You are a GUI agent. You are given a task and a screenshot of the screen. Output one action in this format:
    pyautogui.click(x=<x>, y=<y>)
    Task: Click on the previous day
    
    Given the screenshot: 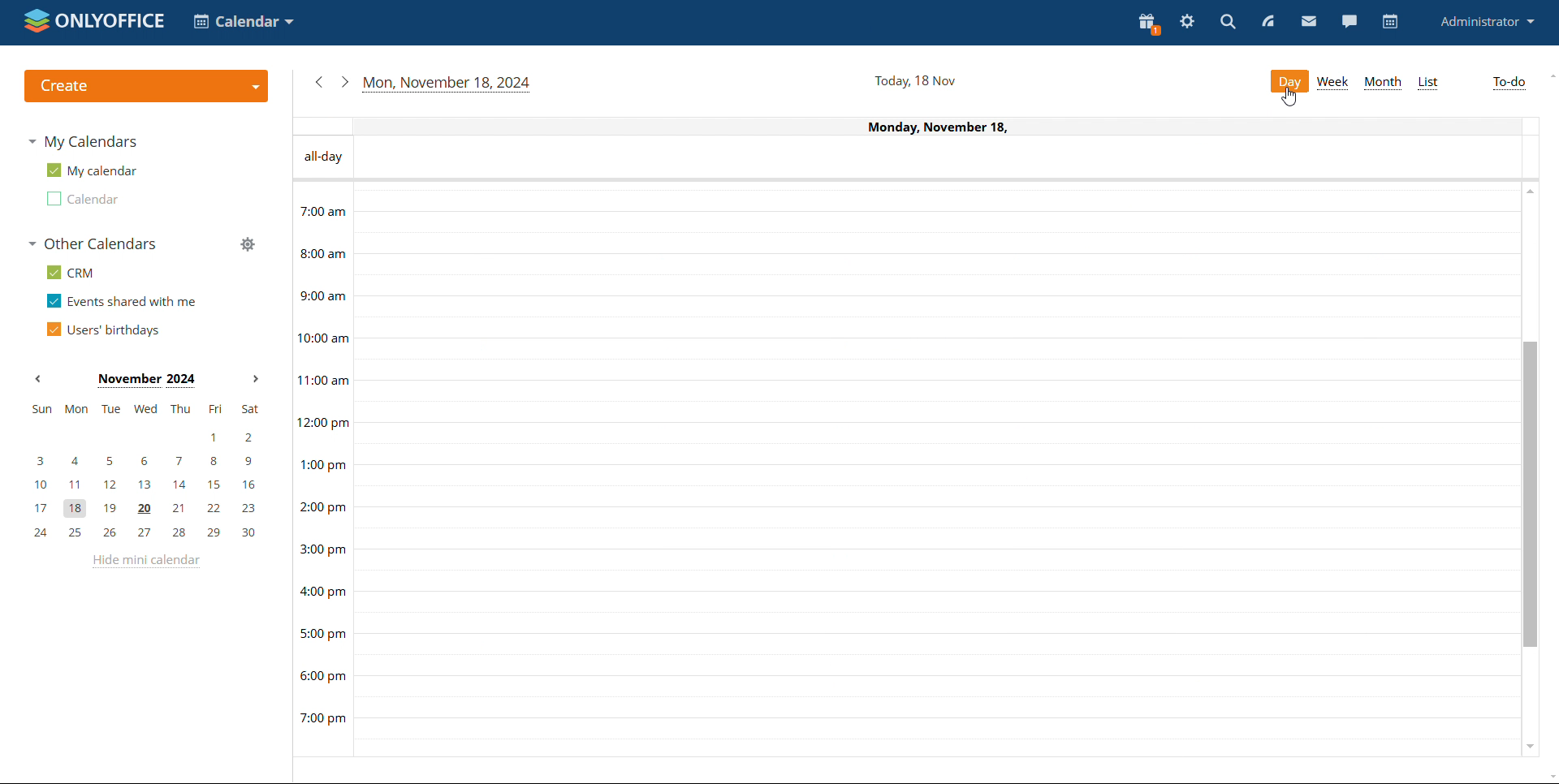 What is the action you would take?
    pyautogui.click(x=318, y=82)
    